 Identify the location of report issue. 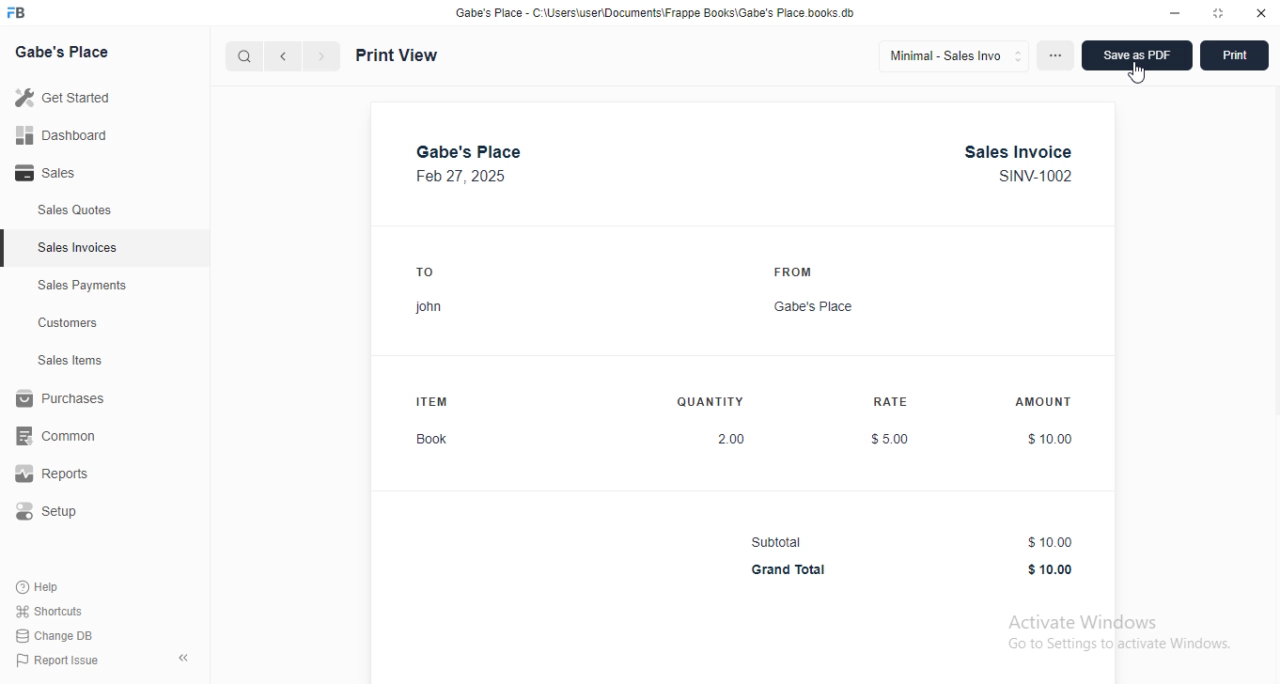
(57, 660).